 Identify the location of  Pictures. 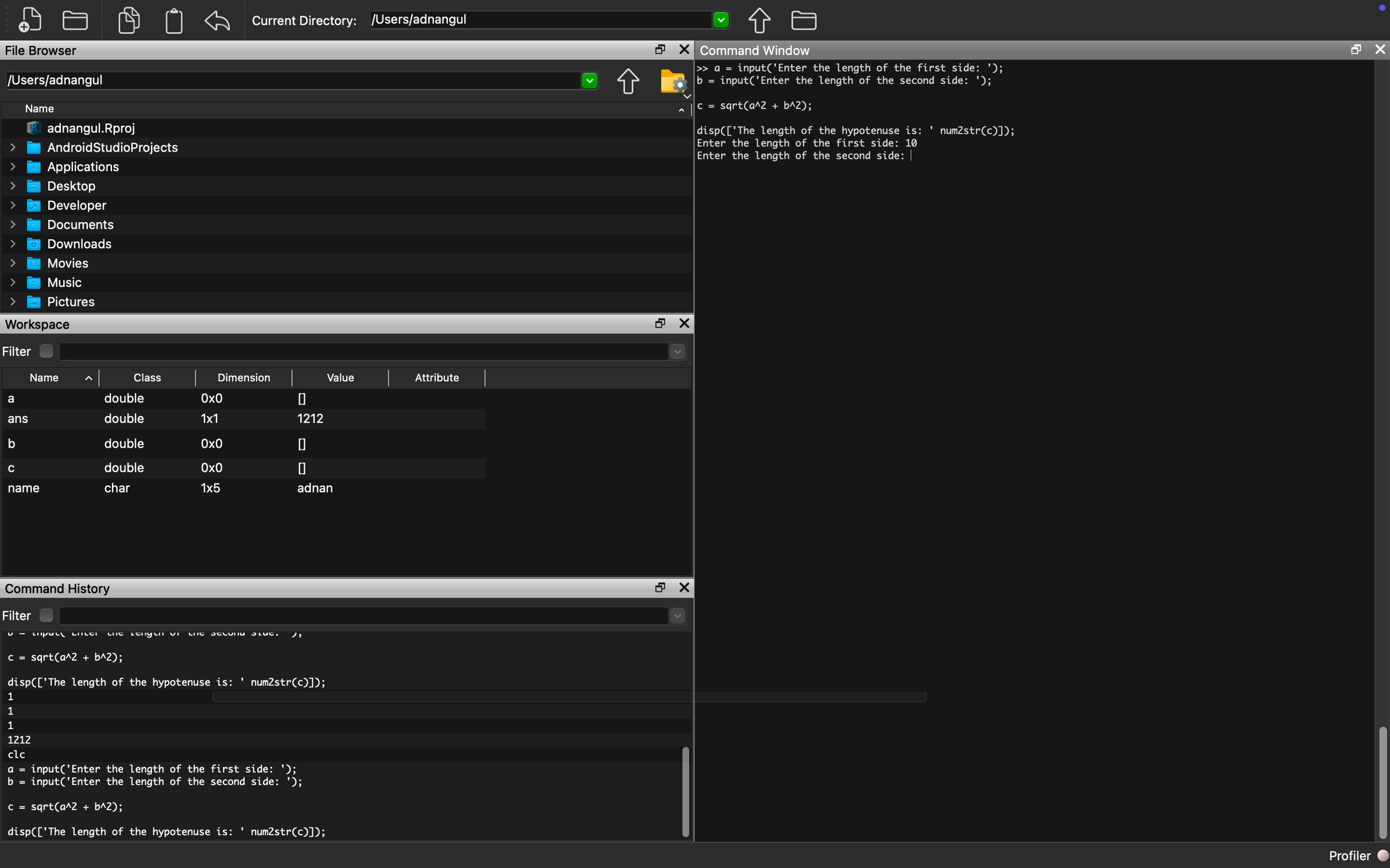
(57, 302).